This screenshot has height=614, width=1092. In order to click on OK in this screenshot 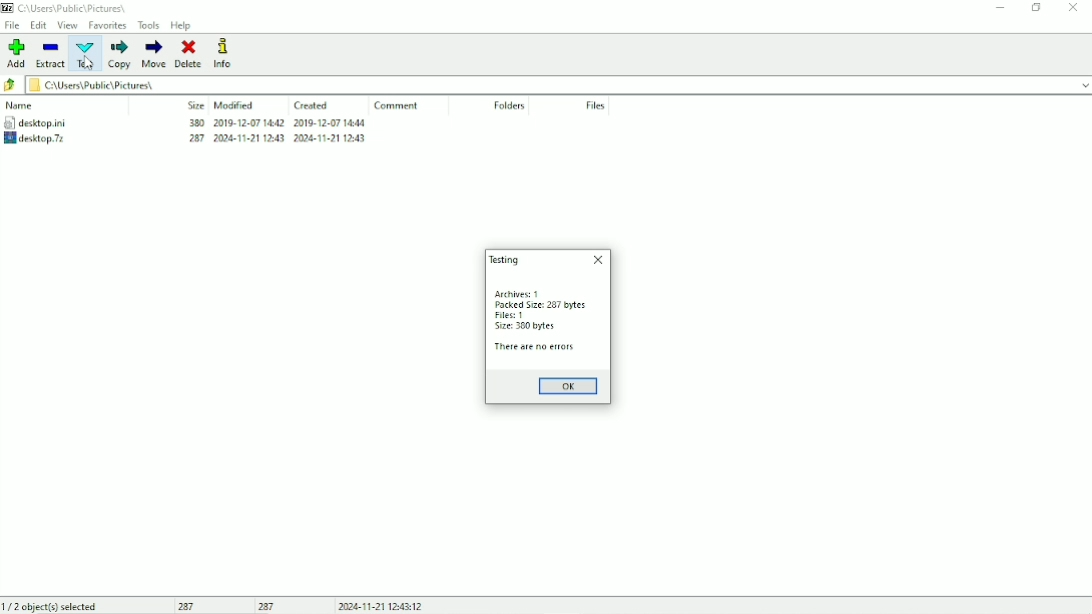, I will do `click(568, 387)`.